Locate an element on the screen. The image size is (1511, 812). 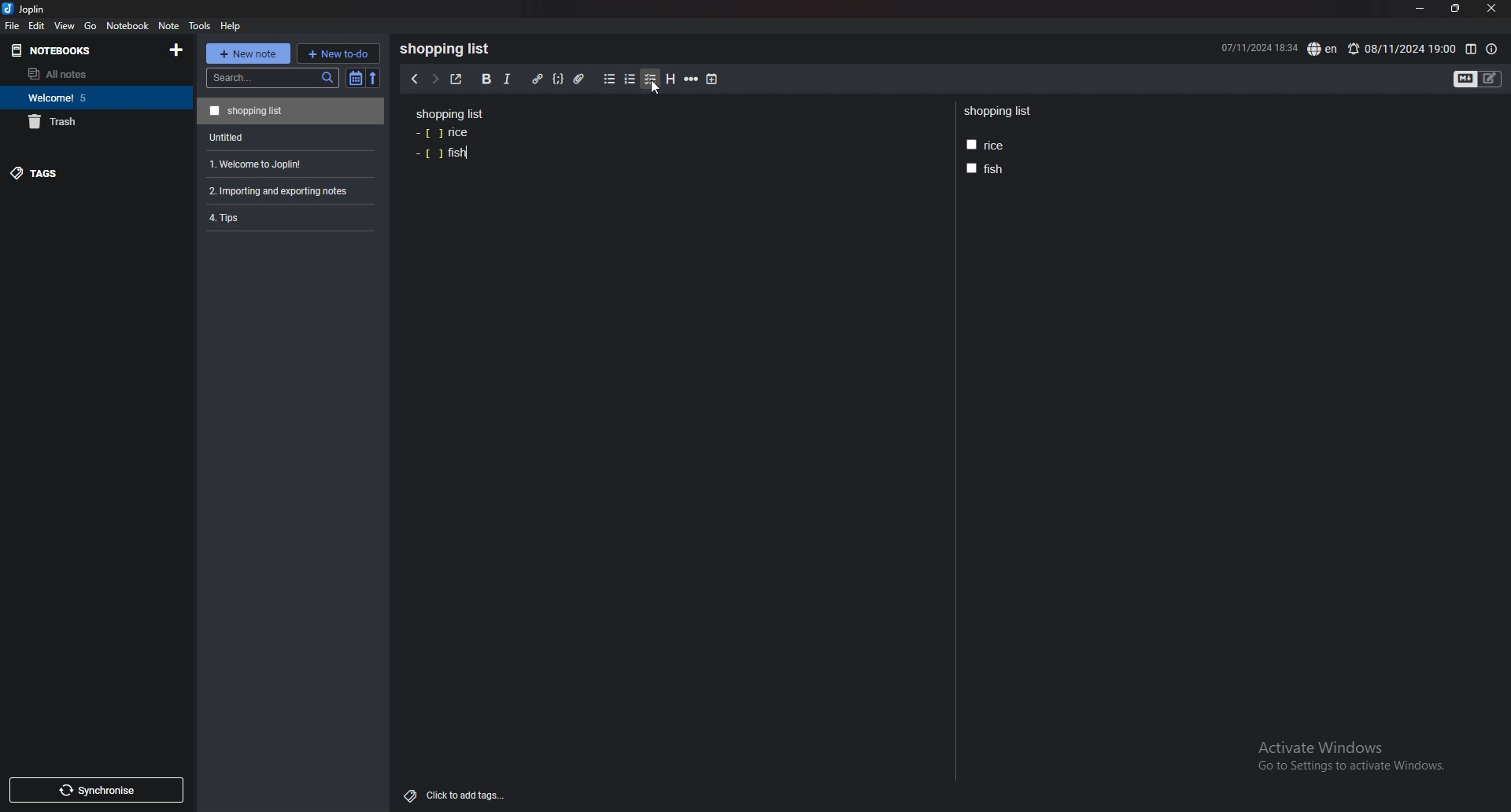
italic is located at coordinates (508, 79).